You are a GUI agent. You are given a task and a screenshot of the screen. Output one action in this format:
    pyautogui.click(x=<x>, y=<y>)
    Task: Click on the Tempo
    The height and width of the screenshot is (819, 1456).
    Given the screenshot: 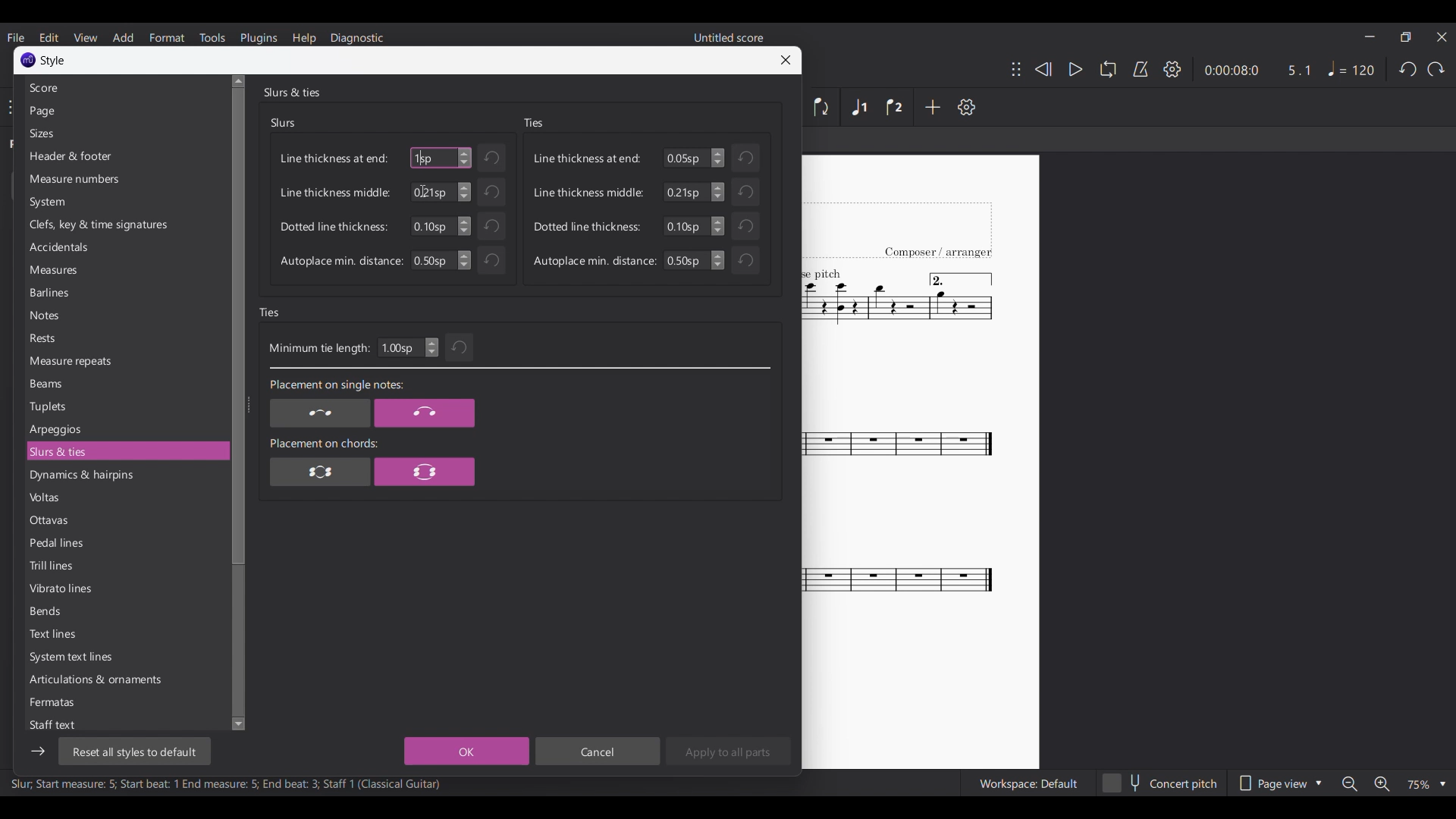 What is the action you would take?
    pyautogui.click(x=1351, y=69)
    